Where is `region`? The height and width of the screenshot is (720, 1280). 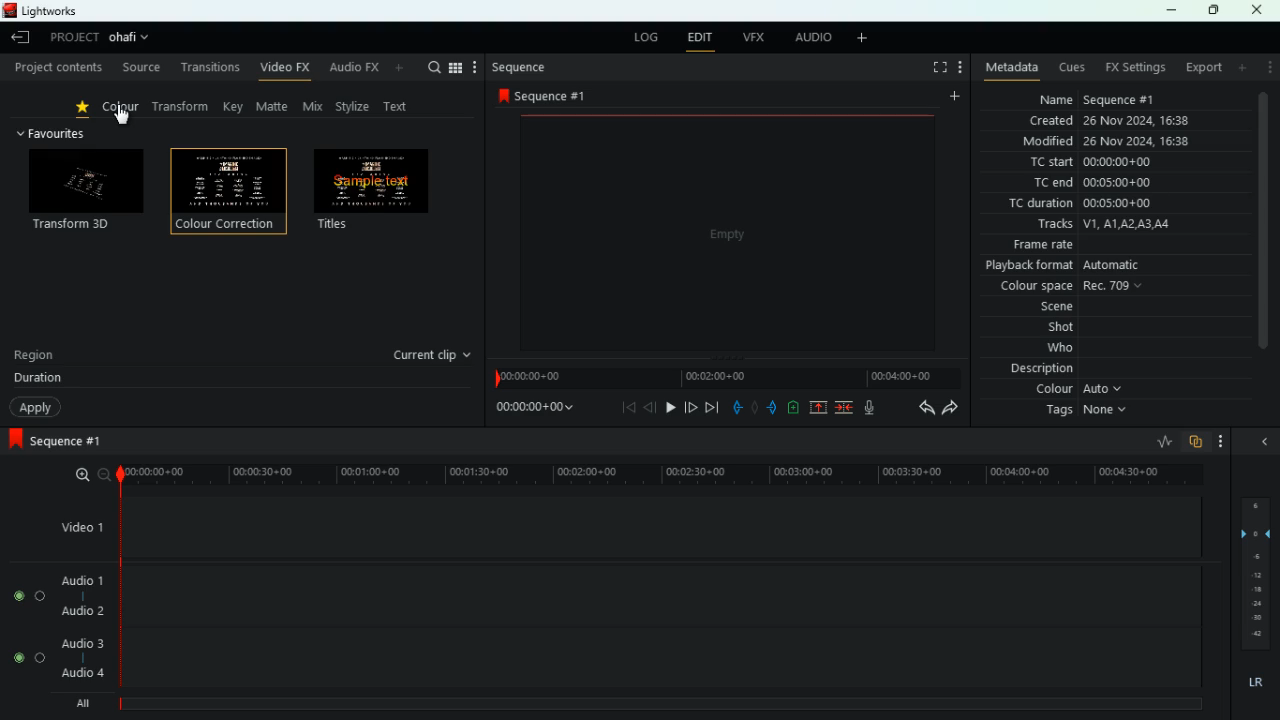 region is located at coordinates (36, 358).